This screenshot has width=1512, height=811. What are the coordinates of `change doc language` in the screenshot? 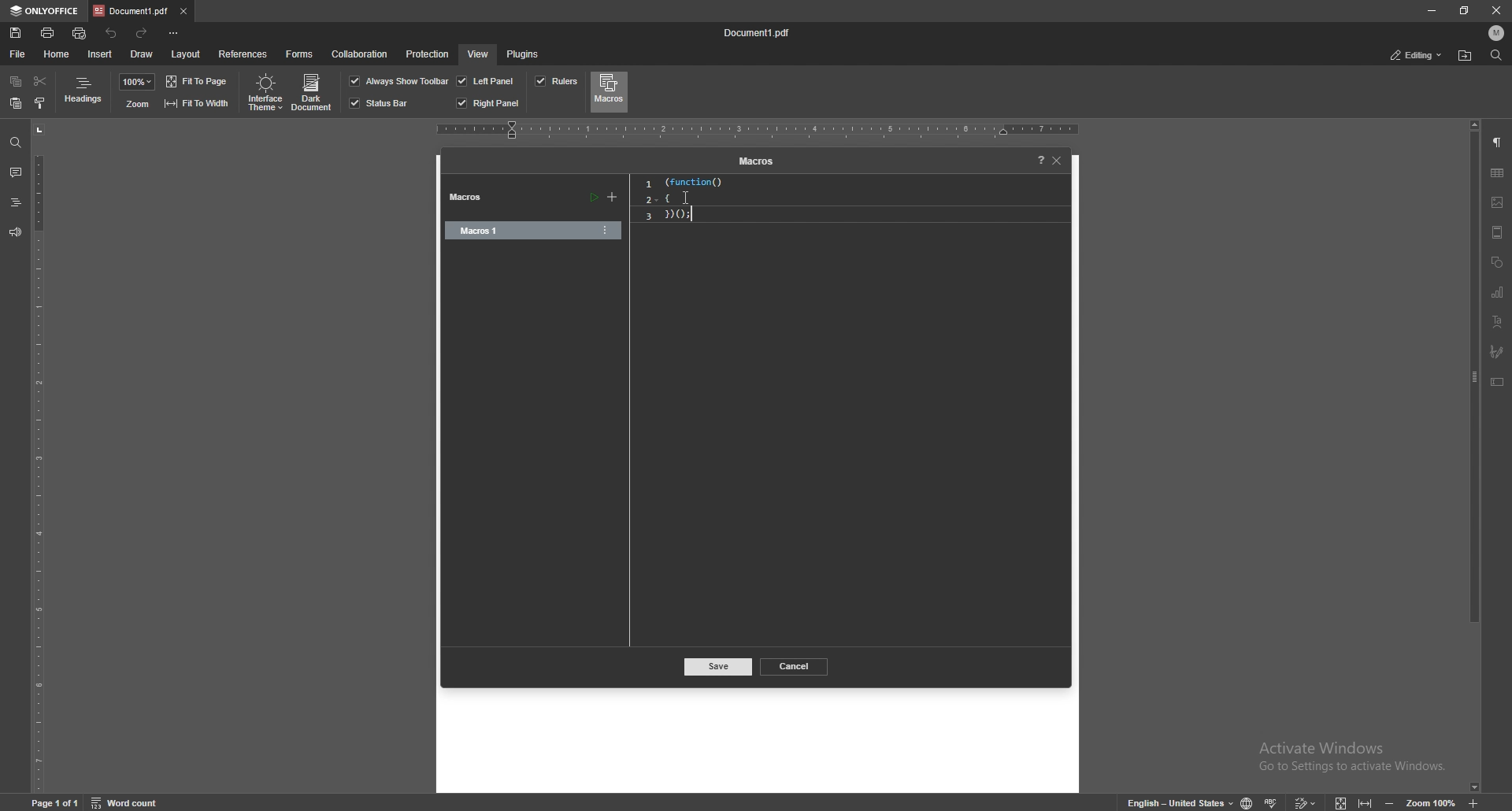 It's located at (1247, 802).